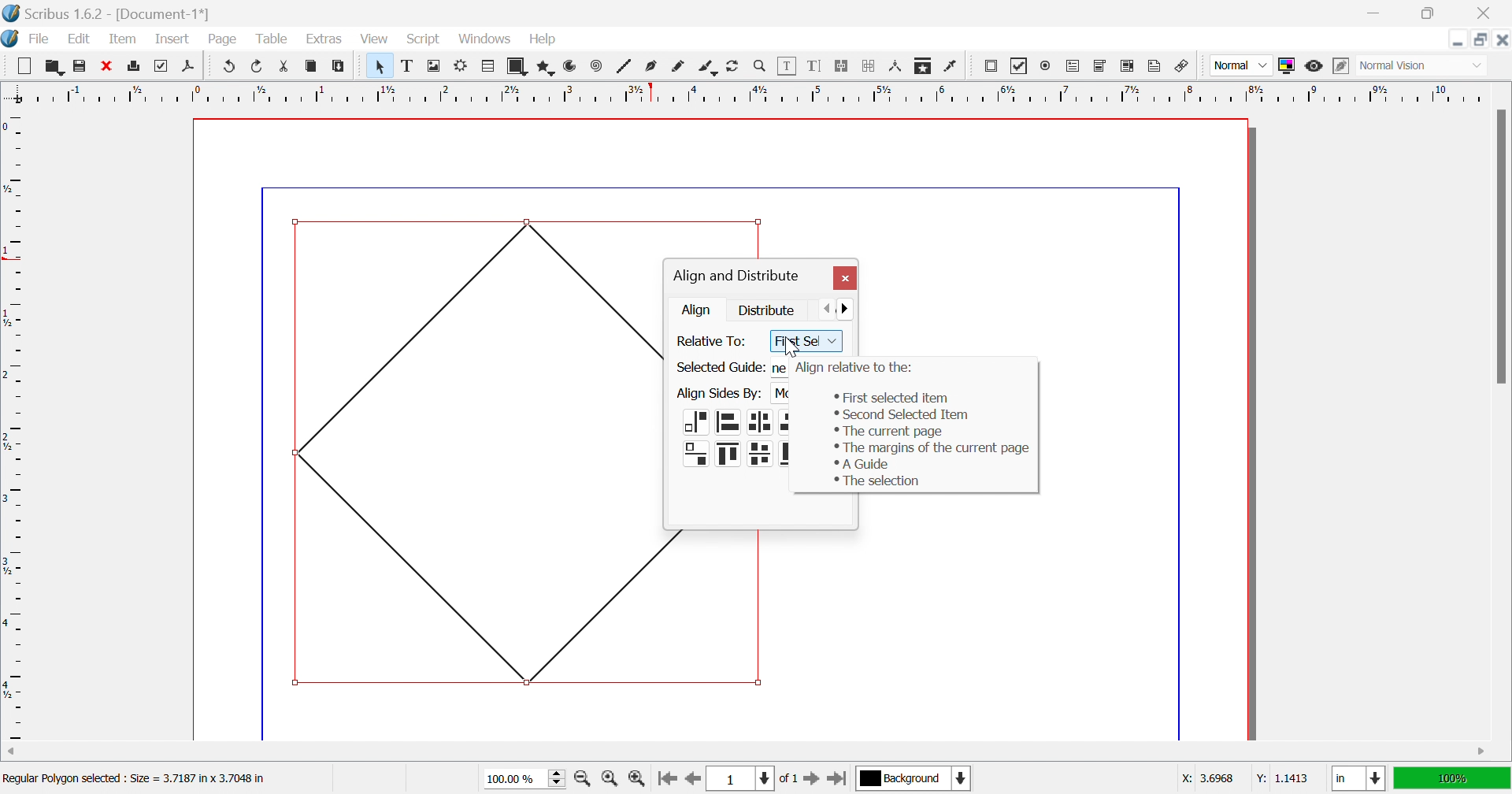  I want to click on PDF push button, so click(993, 65).